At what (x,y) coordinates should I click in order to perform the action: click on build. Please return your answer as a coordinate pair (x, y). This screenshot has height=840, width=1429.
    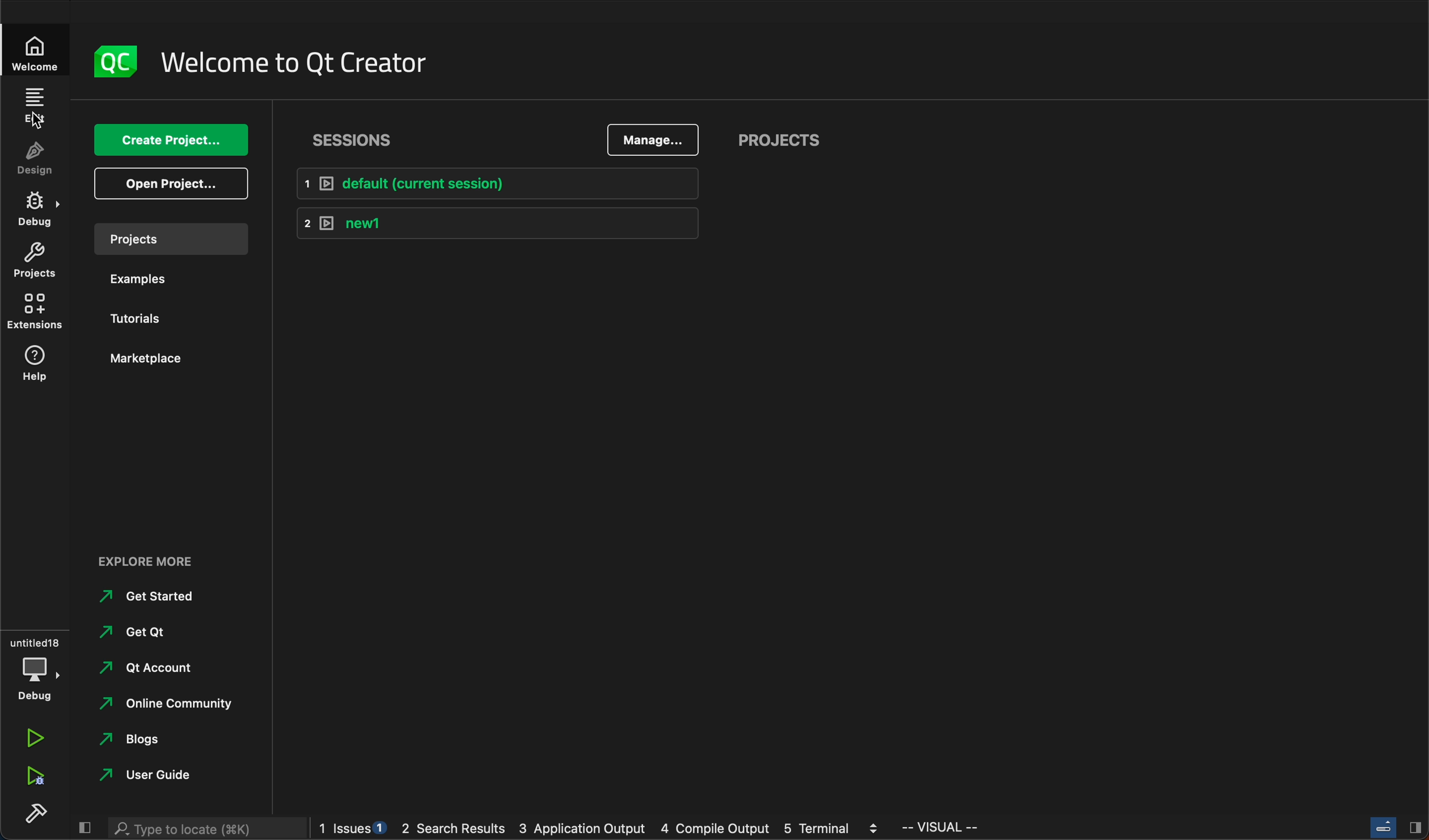
    Looking at the image, I should click on (36, 812).